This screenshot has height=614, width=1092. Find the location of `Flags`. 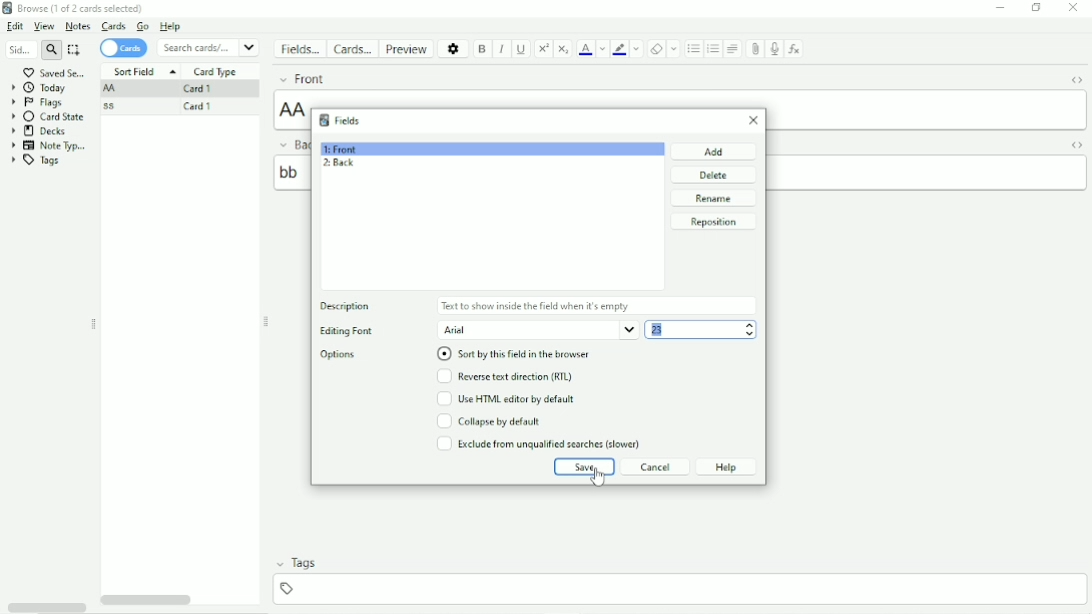

Flags is located at coordinates (39, 102).